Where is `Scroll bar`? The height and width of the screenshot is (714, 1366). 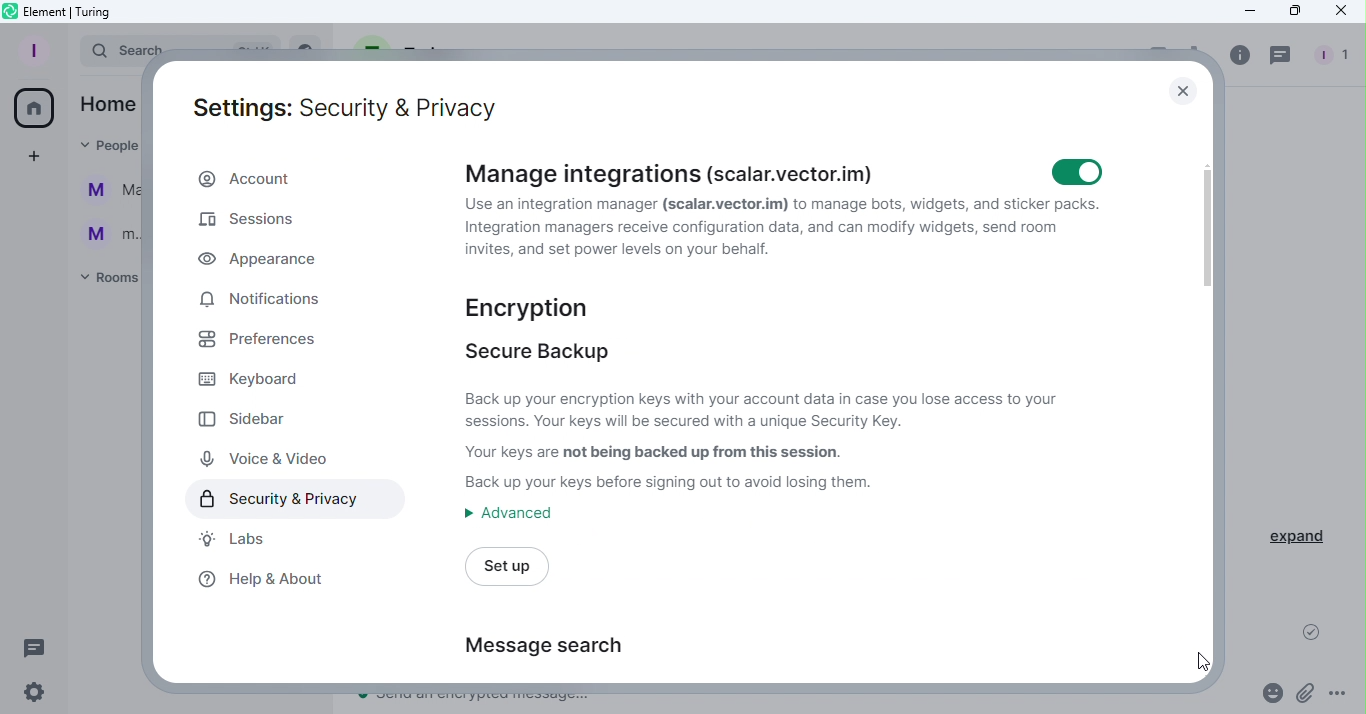
Scroll bar is located at coordinates (1208, 417).